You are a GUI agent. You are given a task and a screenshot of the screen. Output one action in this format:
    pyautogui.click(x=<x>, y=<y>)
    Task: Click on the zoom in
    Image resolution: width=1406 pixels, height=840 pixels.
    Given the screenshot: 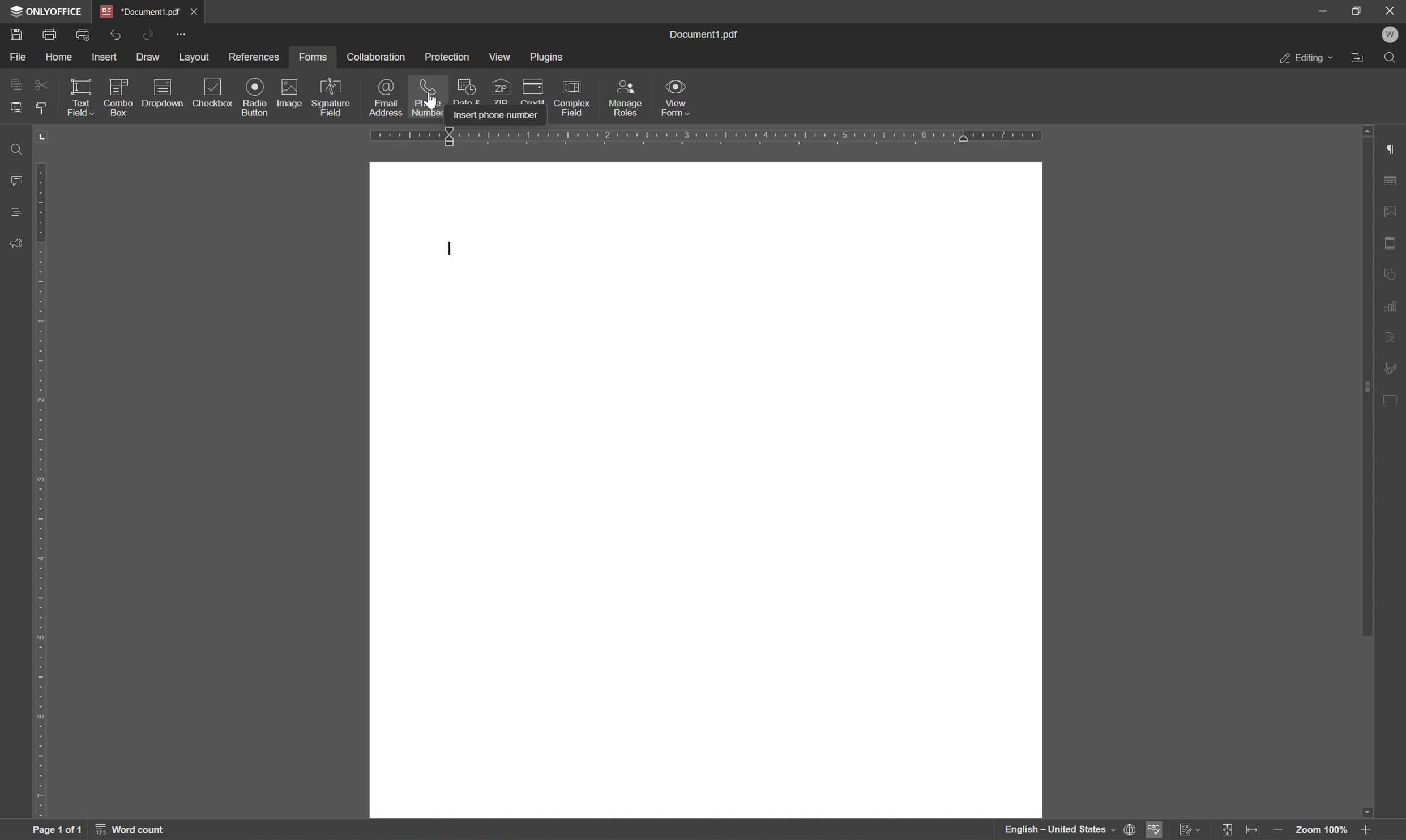 What is the action you would take?
    pyautogui.click(x=1370, y=832)
    